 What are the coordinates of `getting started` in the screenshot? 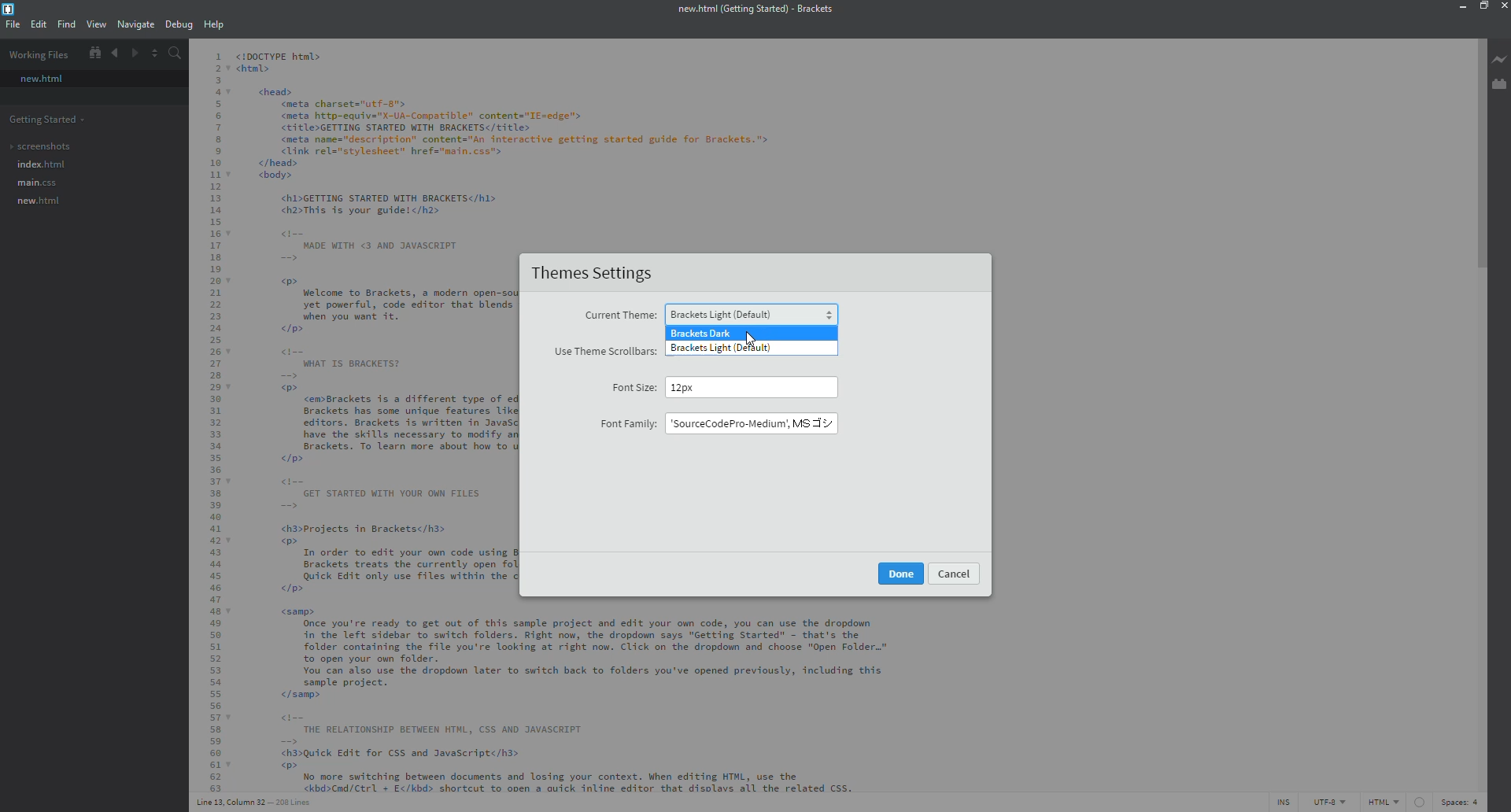 It's located at (48, 120).